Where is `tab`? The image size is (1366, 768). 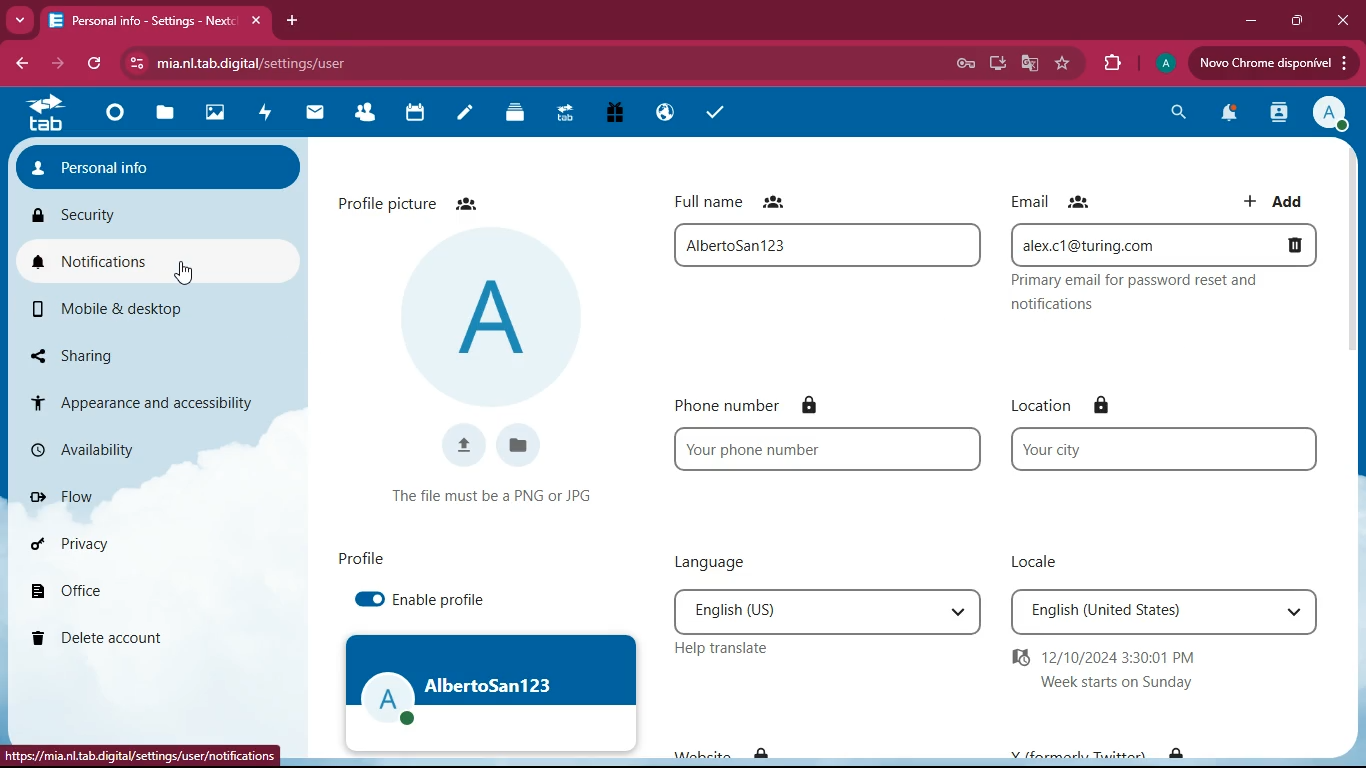 tab is located at coordinates (155, 23).